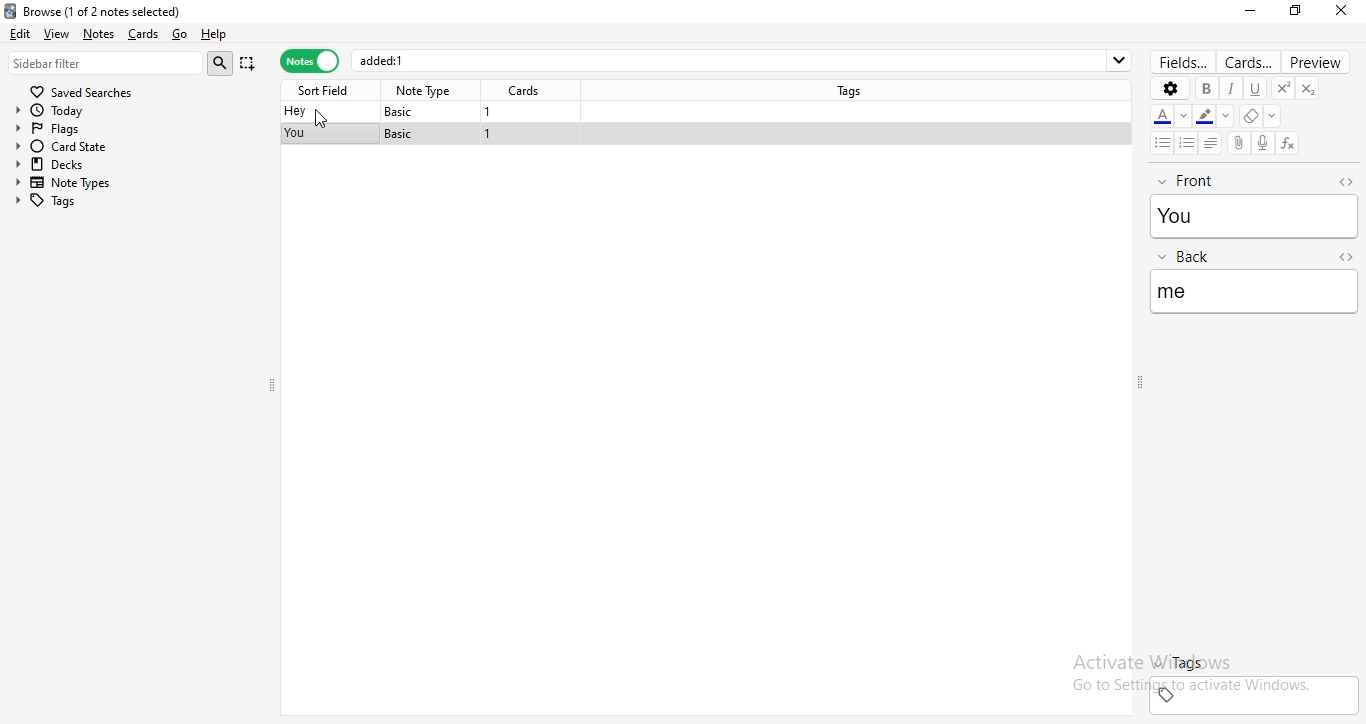 The image size is (1366, 724). What do you see at coordinates (223, 63) in the screenshot?
I see `search` at bounding box center [223, 63].